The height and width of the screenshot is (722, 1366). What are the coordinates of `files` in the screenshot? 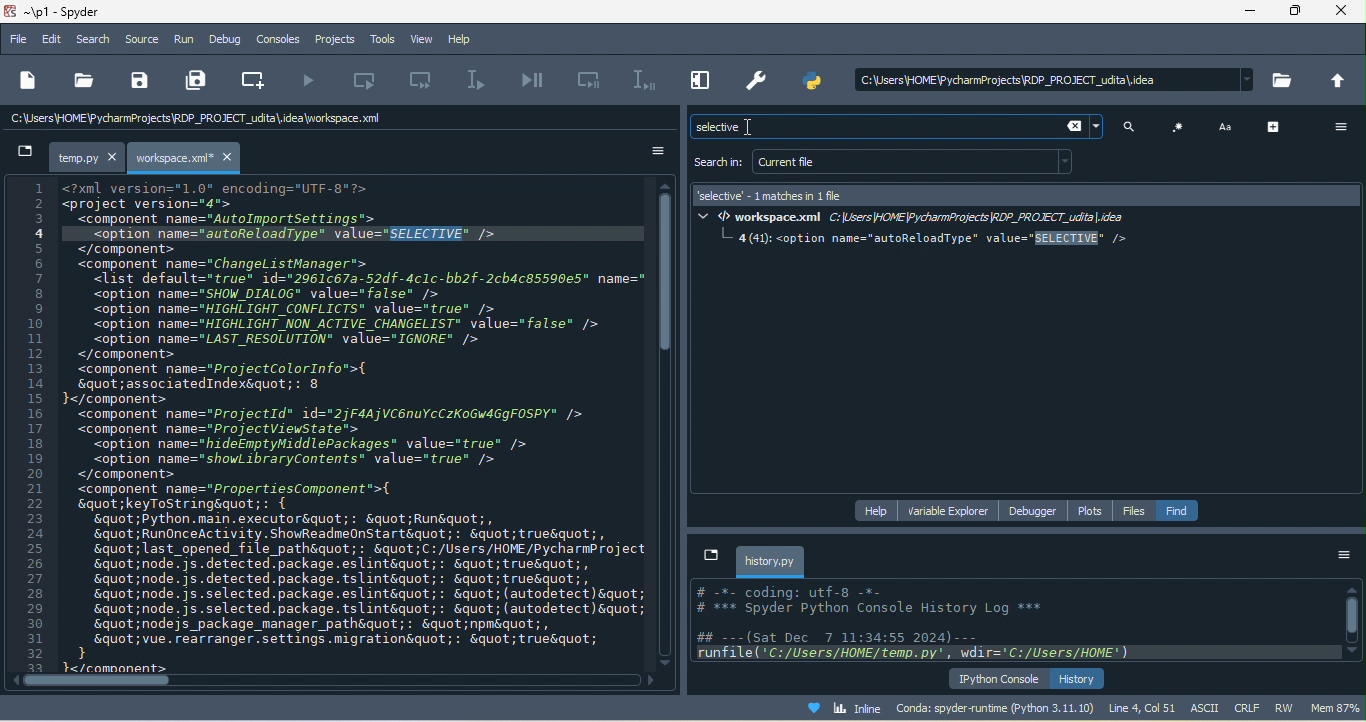 It's located at (1135, 511).